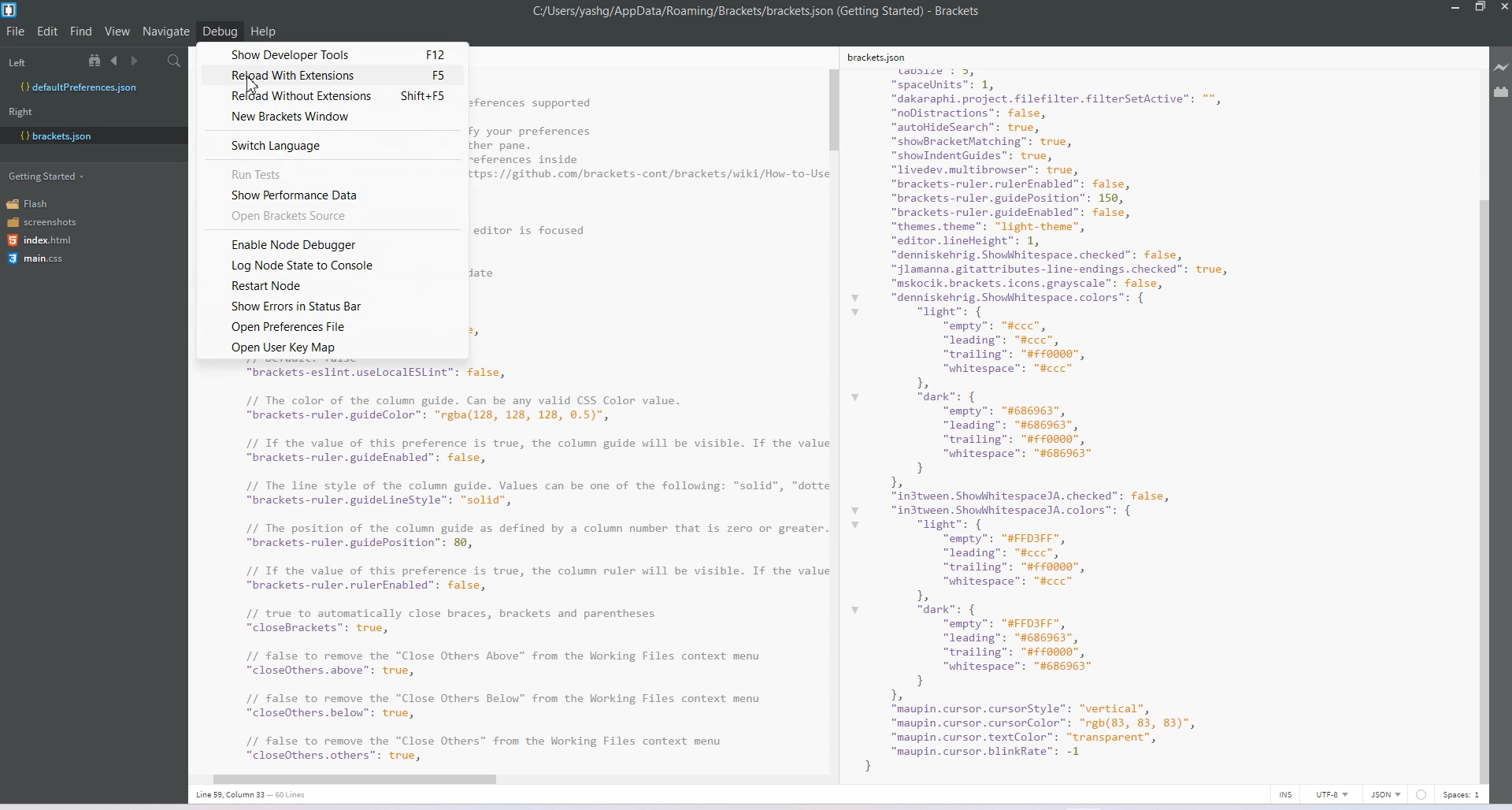 The image size is (1512, 810). What do you see at coordinates (118, 31) in the screenshot?
I see `View` at bounding box center [118, 31].